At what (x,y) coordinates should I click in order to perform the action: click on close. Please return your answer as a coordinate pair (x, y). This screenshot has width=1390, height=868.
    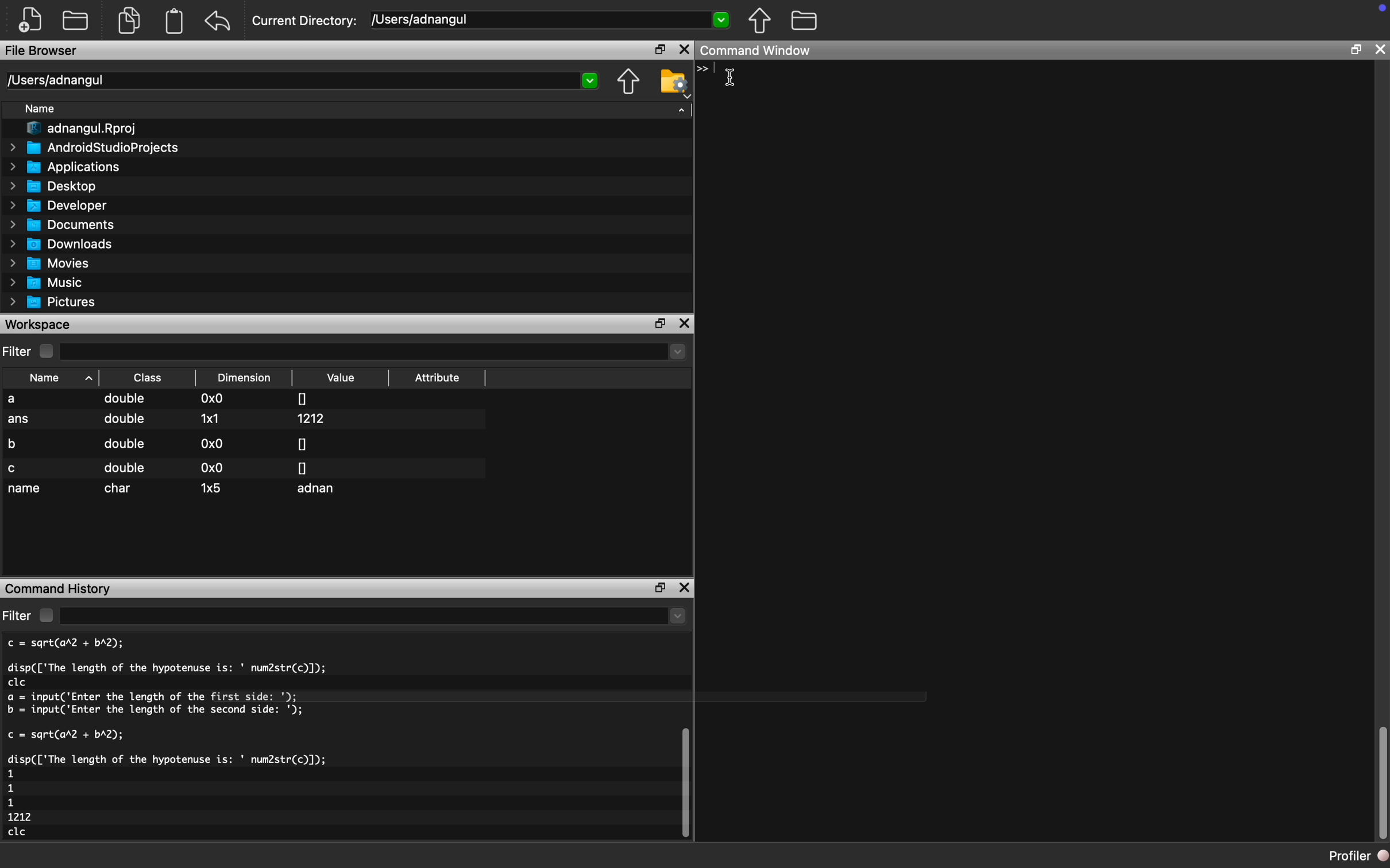
    Looking at the image, I should click on (687, 324).